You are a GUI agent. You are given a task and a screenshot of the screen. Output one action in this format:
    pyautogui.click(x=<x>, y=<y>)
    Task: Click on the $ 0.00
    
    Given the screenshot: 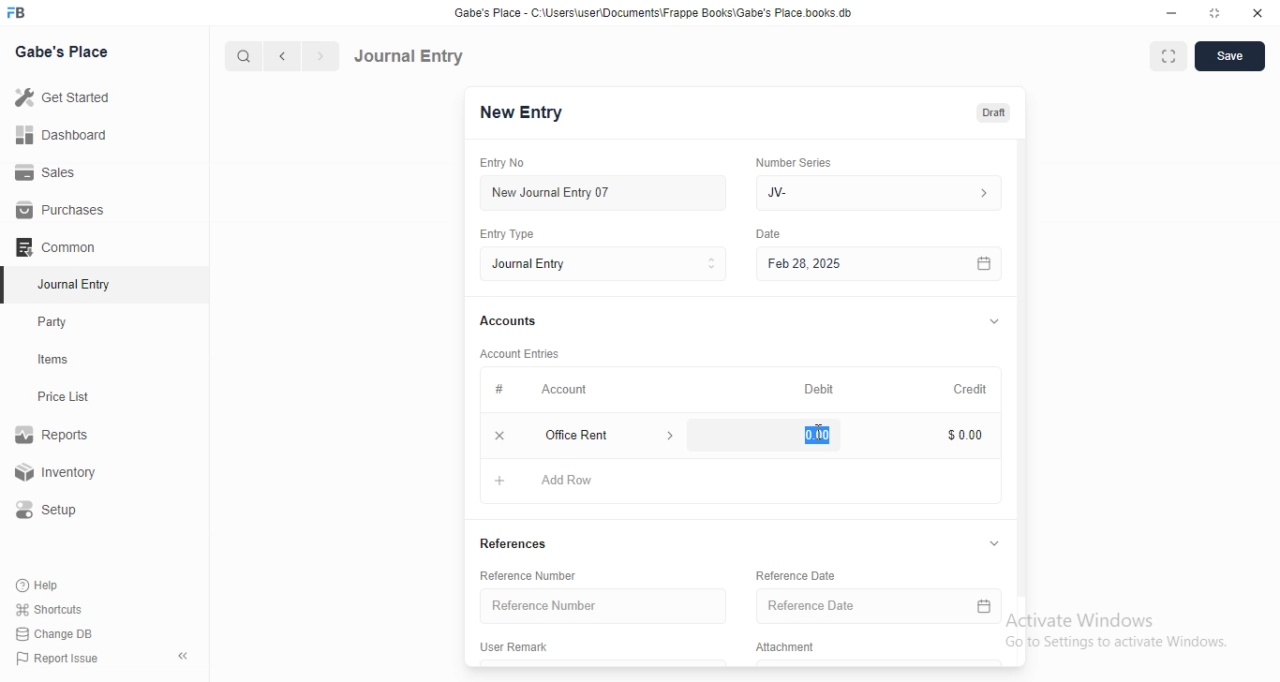 What is the action you would take?
    pyautogui.click(x=811, y=435)
    